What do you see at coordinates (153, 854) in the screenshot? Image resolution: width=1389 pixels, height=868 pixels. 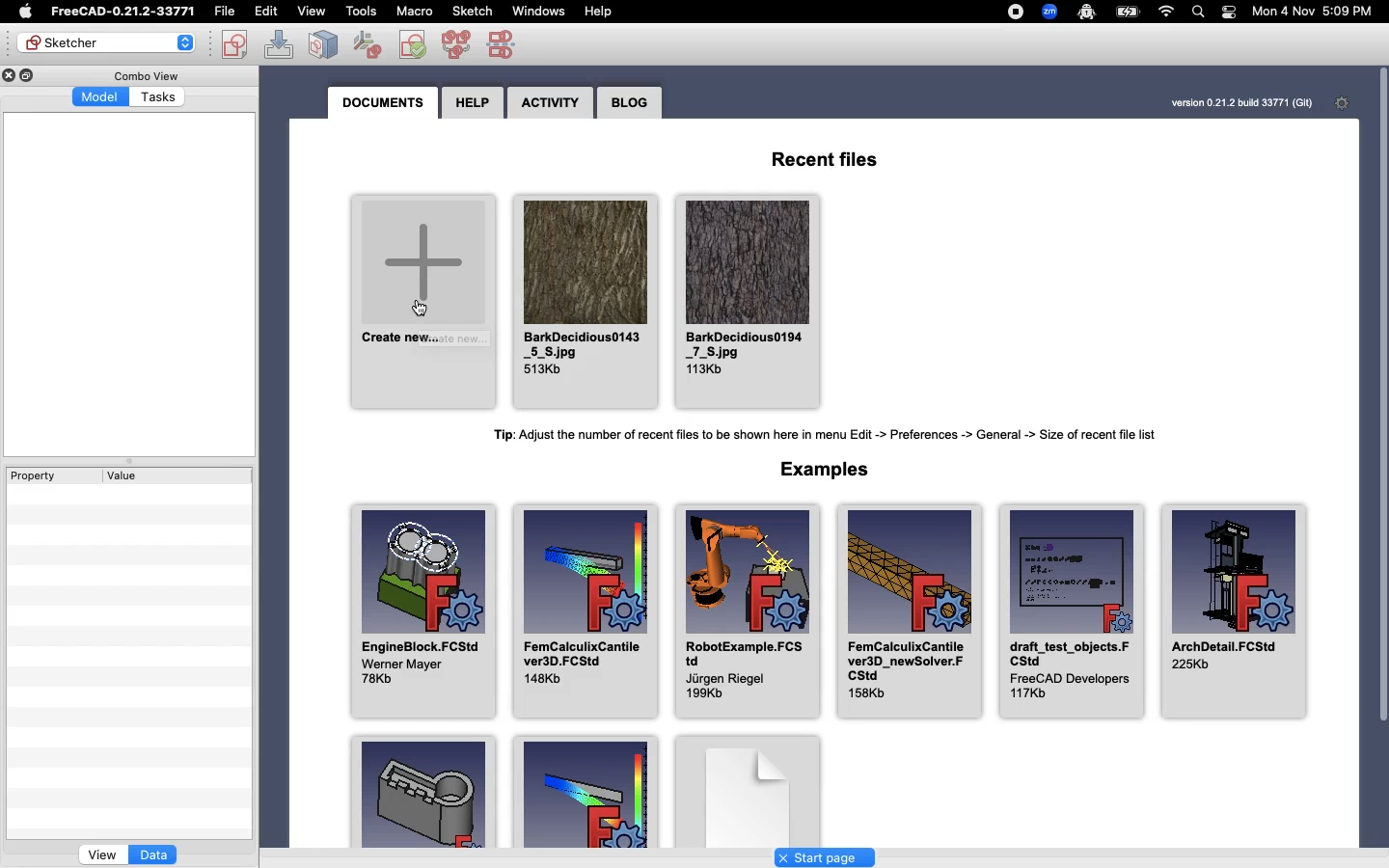 I see `Data |` at bounding box center [153, 854].